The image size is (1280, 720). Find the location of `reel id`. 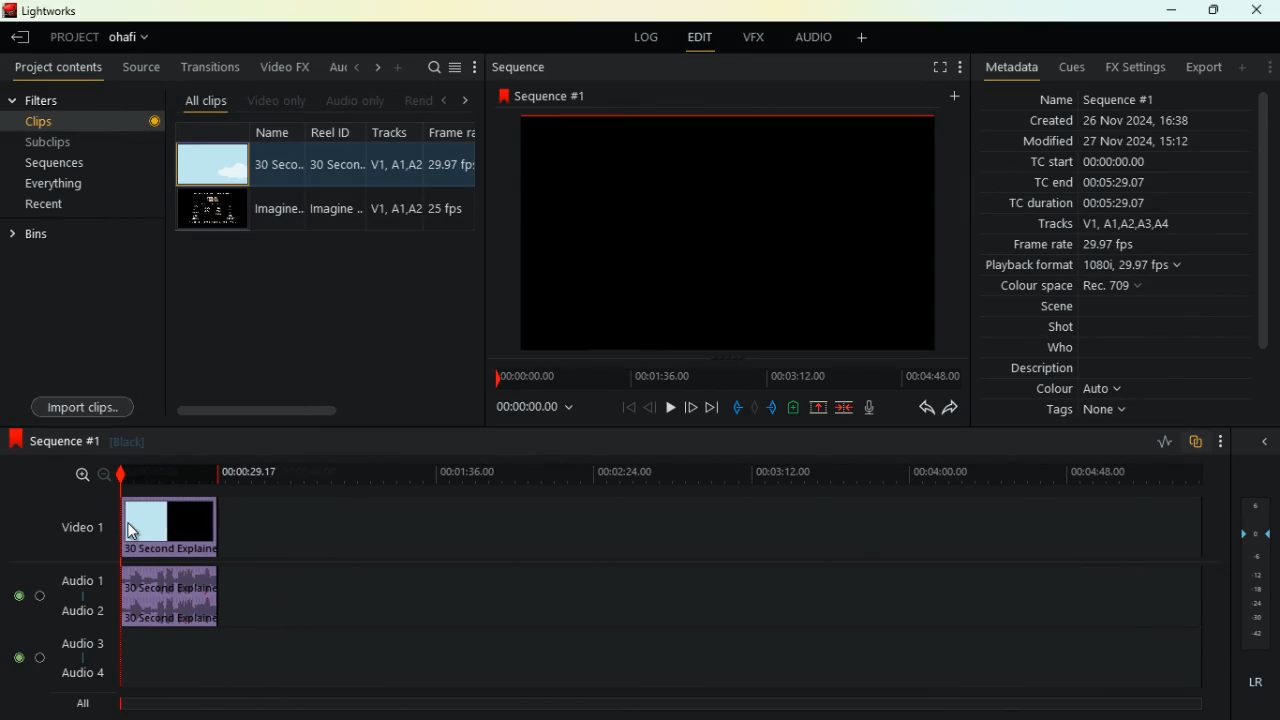

reel id is located at coordinates (336, 176).